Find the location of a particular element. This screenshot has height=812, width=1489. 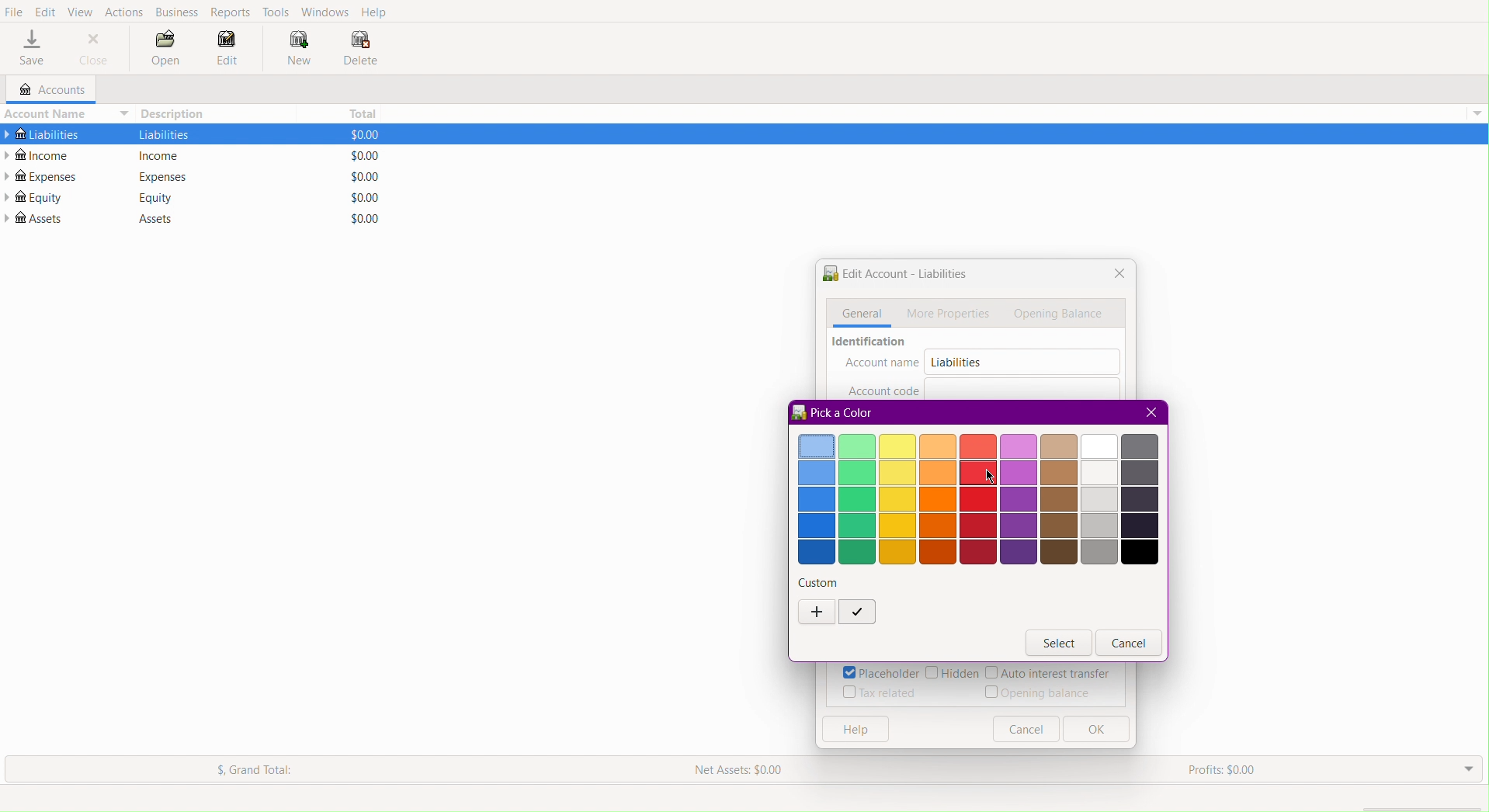

Income is located at coordinates (40, 154).